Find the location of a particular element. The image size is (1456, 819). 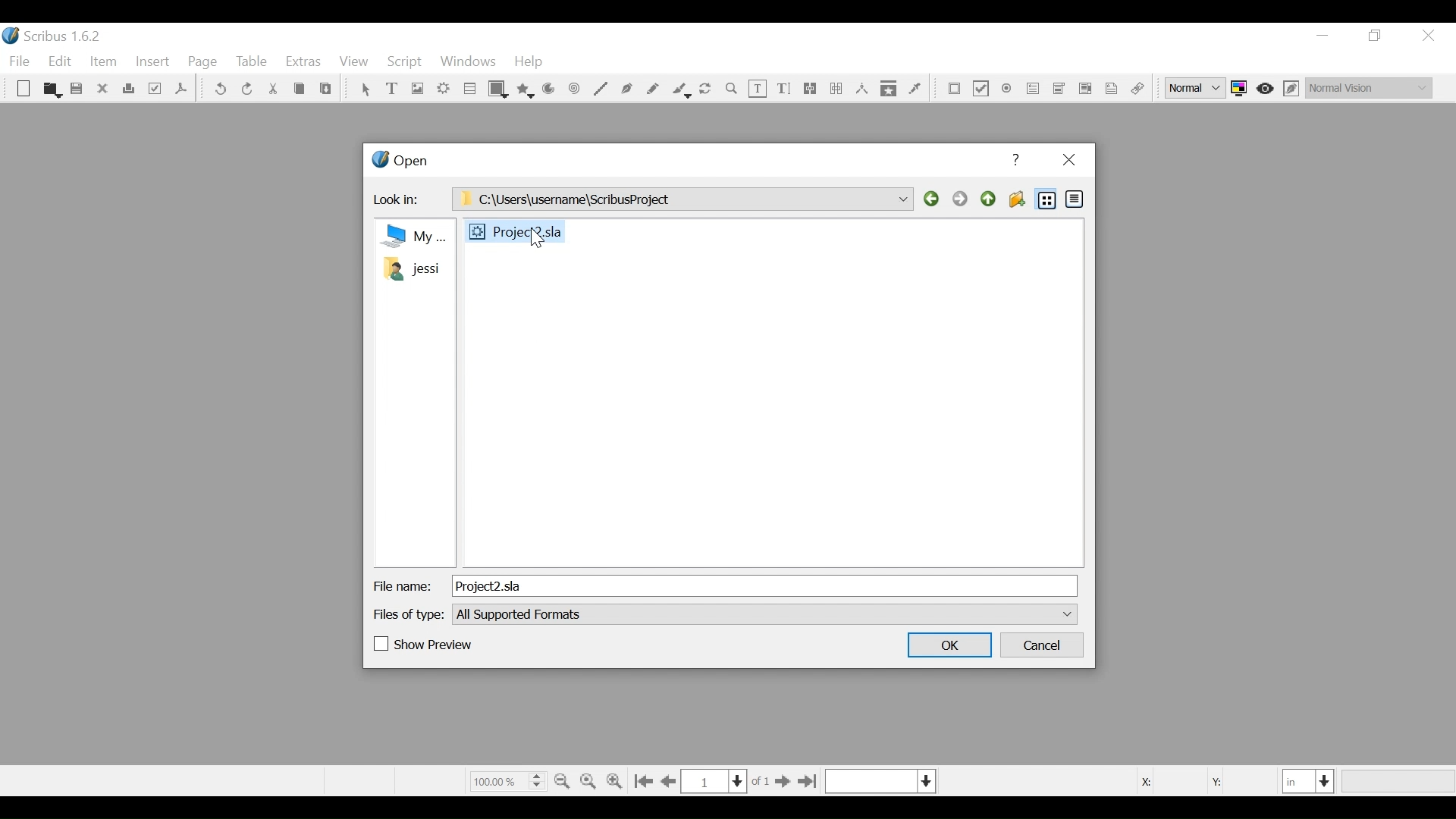

Zoom Factor is located at coordinates (507, 780).